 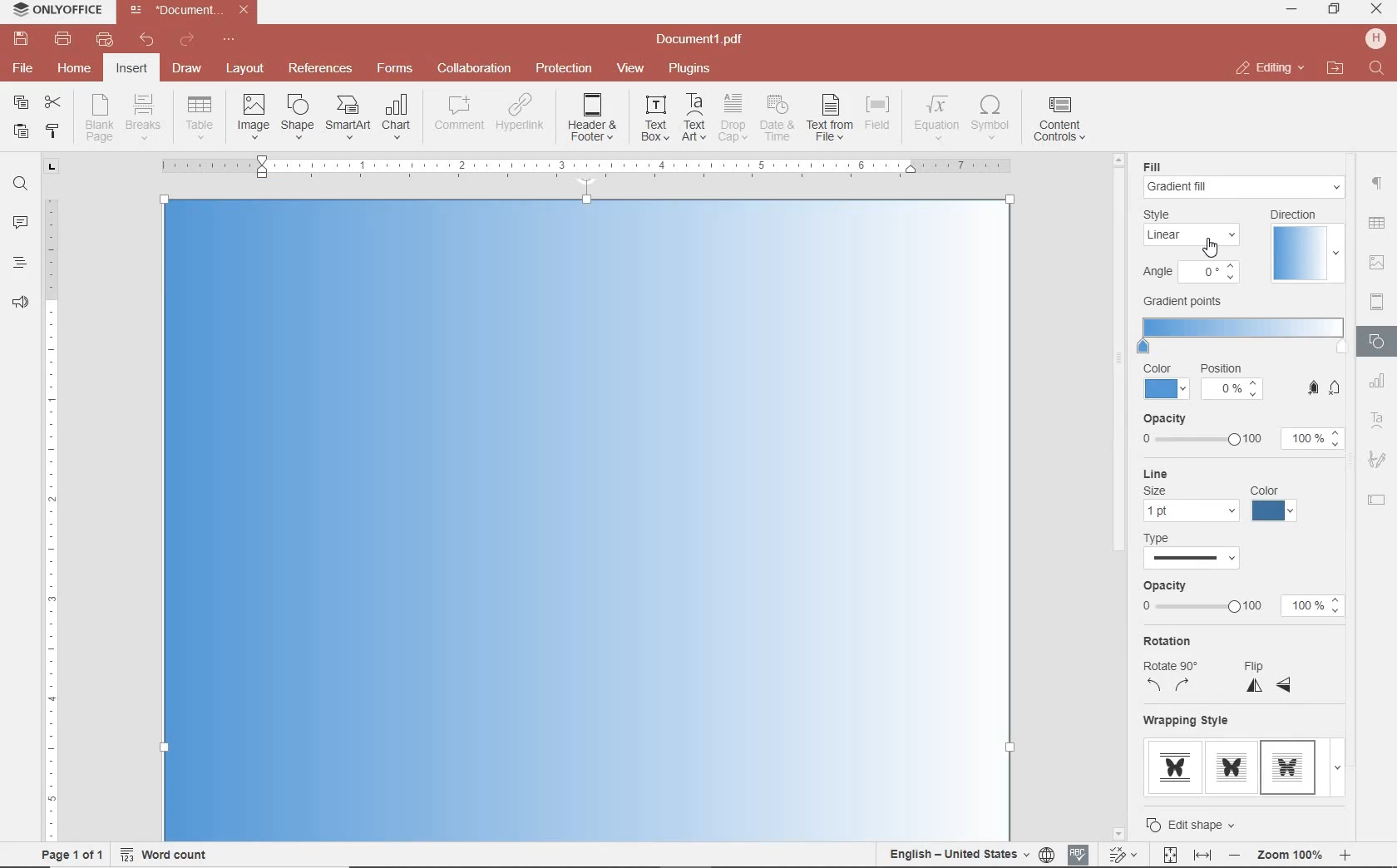 I want to click on comments, so click(x=20, y=224).